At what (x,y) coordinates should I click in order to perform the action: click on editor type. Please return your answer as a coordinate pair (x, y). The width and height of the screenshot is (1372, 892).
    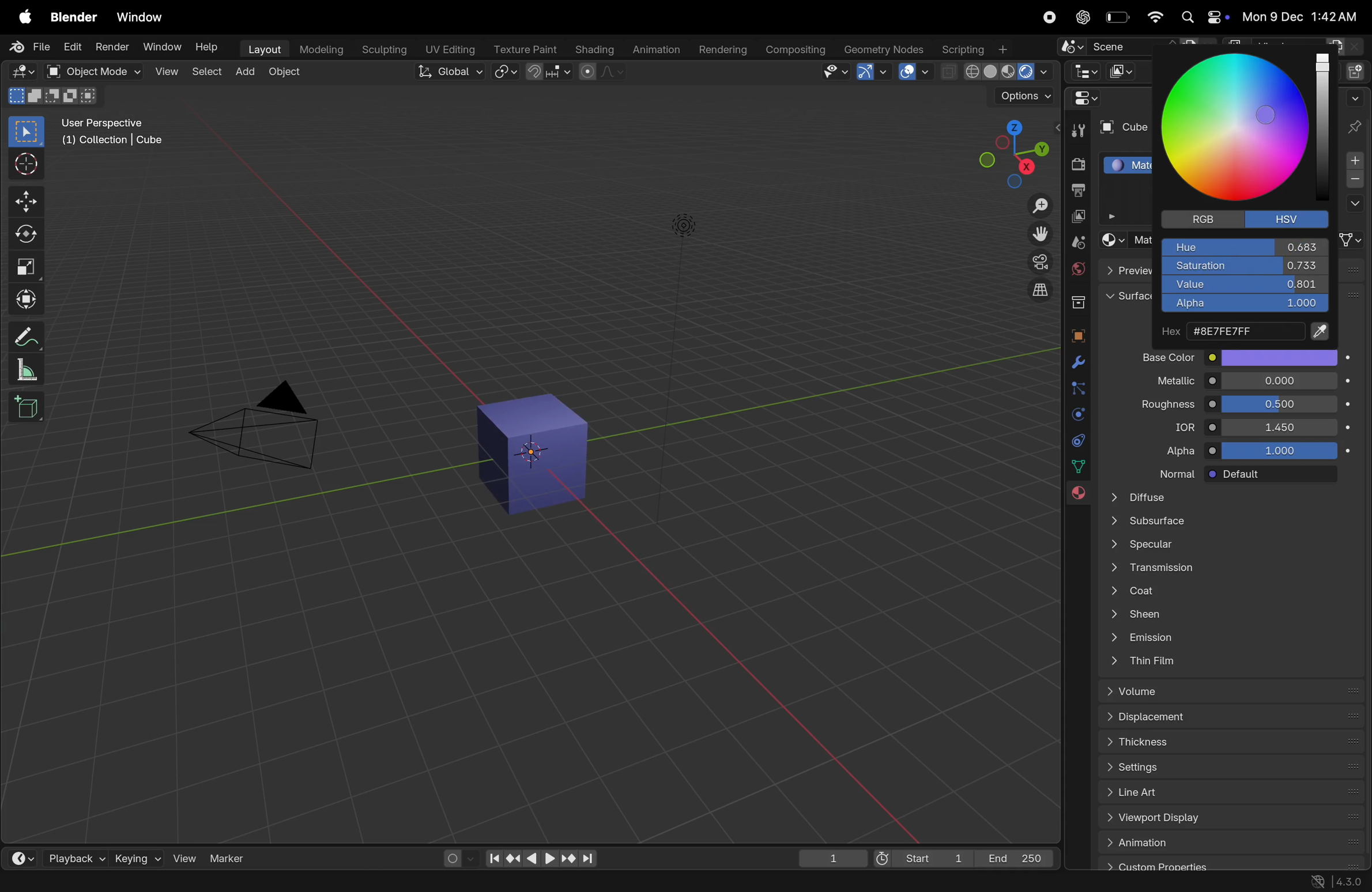
    Looking at the image, I should click on (14, 856).